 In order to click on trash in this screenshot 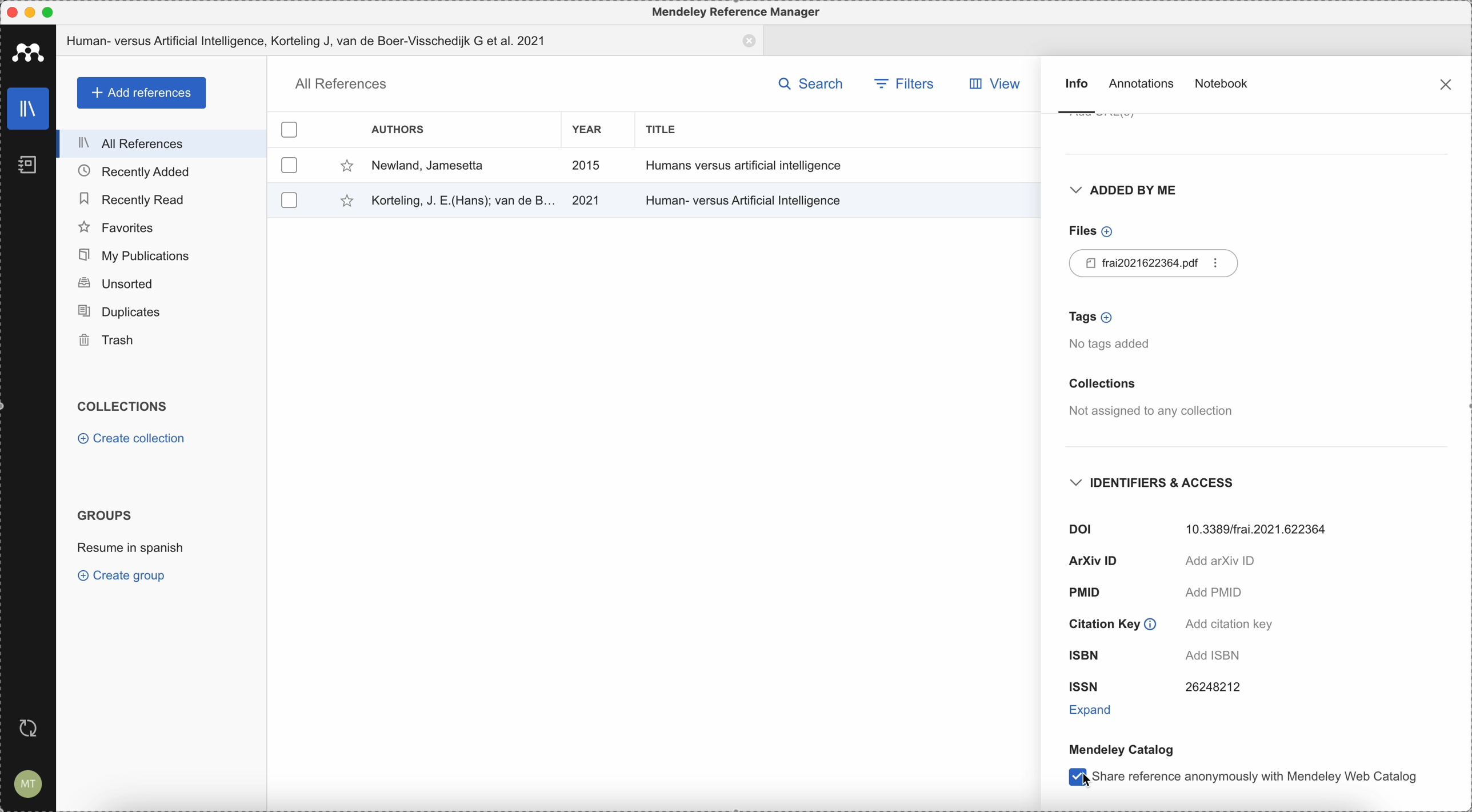, I will do `click(161, 341)`.